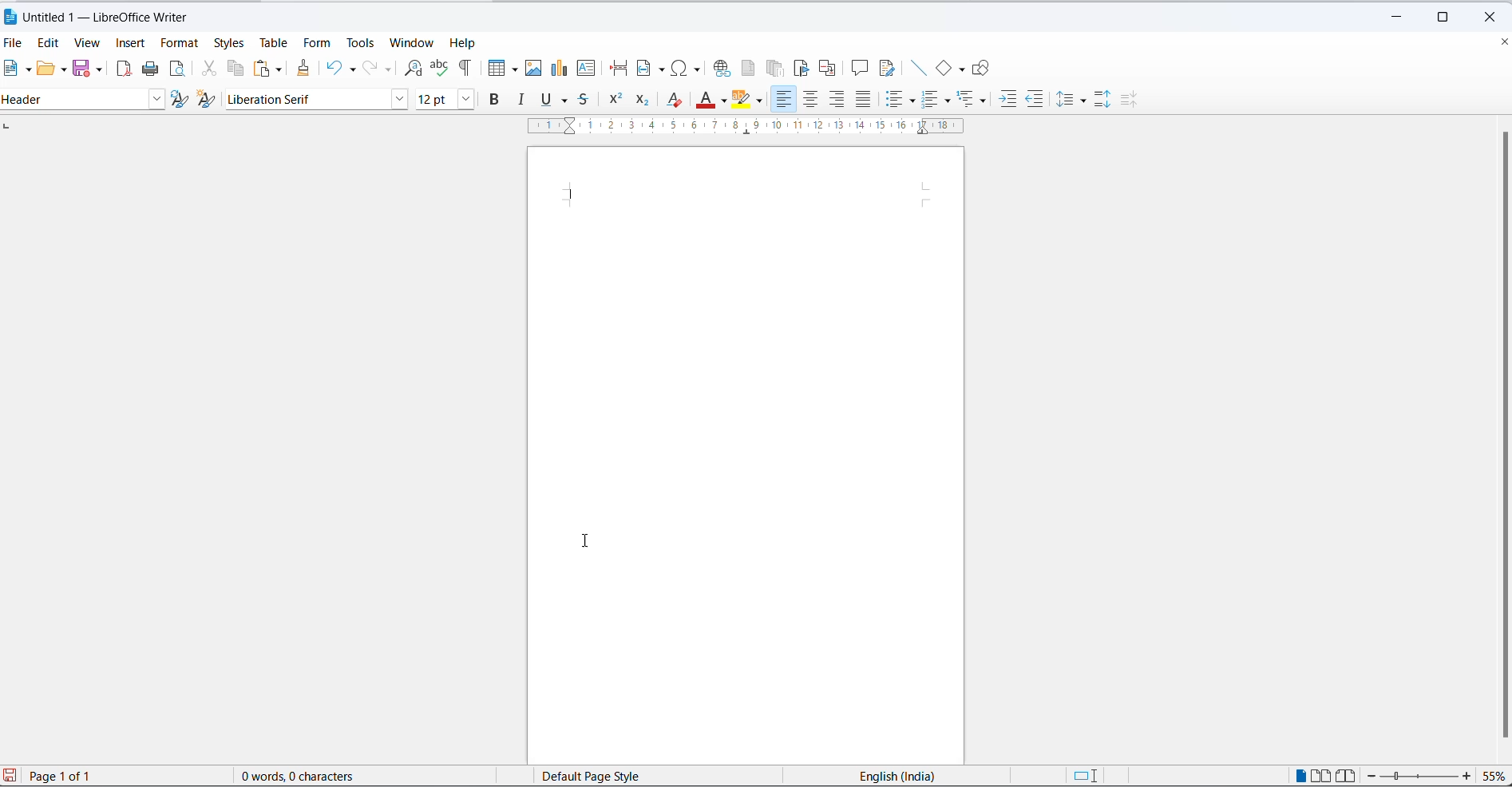 This screenshot has width=1512, height=787. What do you see at coordinates (415, 43) in the screenshot?
I see `window` at bounding box center [415, 43].